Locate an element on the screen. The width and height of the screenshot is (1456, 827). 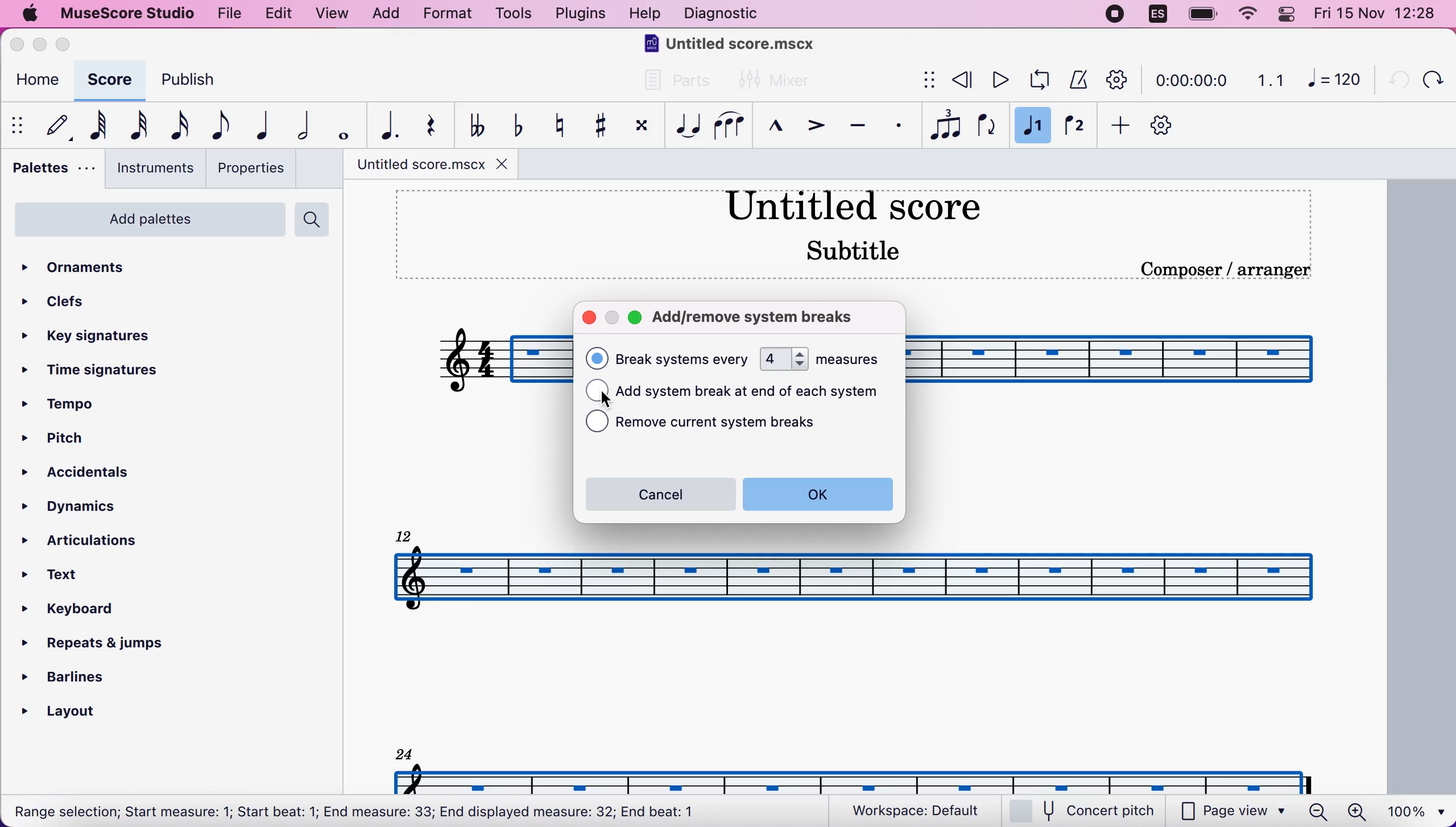
tenuto is located at coordinates (857, 126).